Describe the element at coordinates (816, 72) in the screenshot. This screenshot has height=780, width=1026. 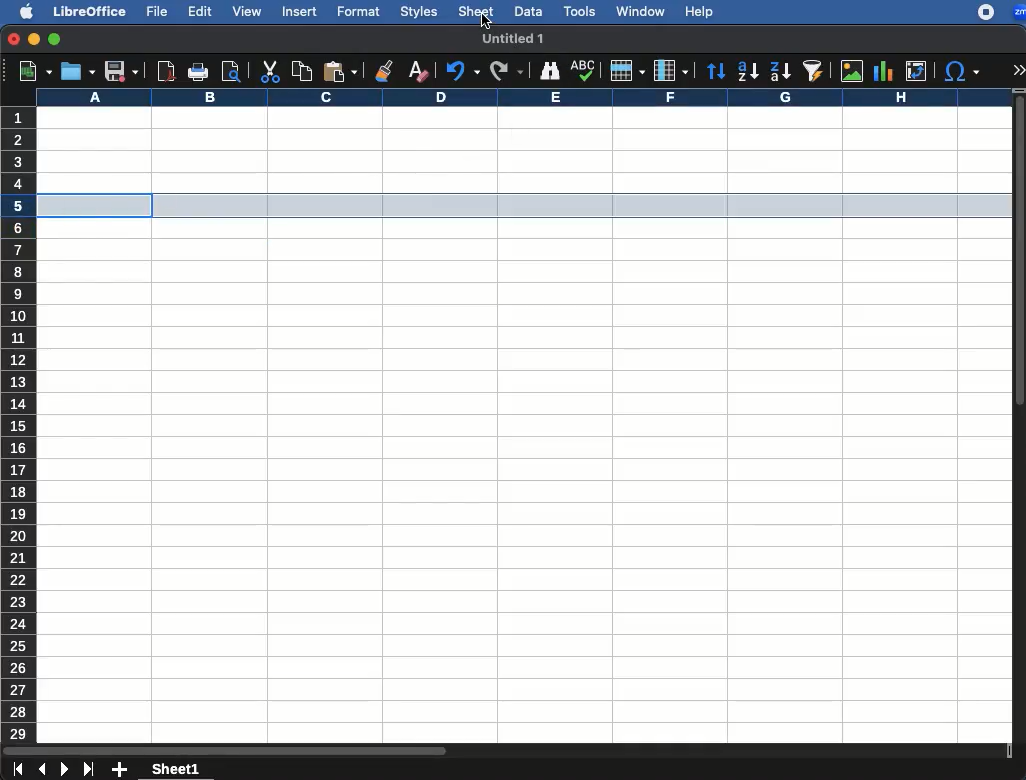
I see `autofilter` at that location.